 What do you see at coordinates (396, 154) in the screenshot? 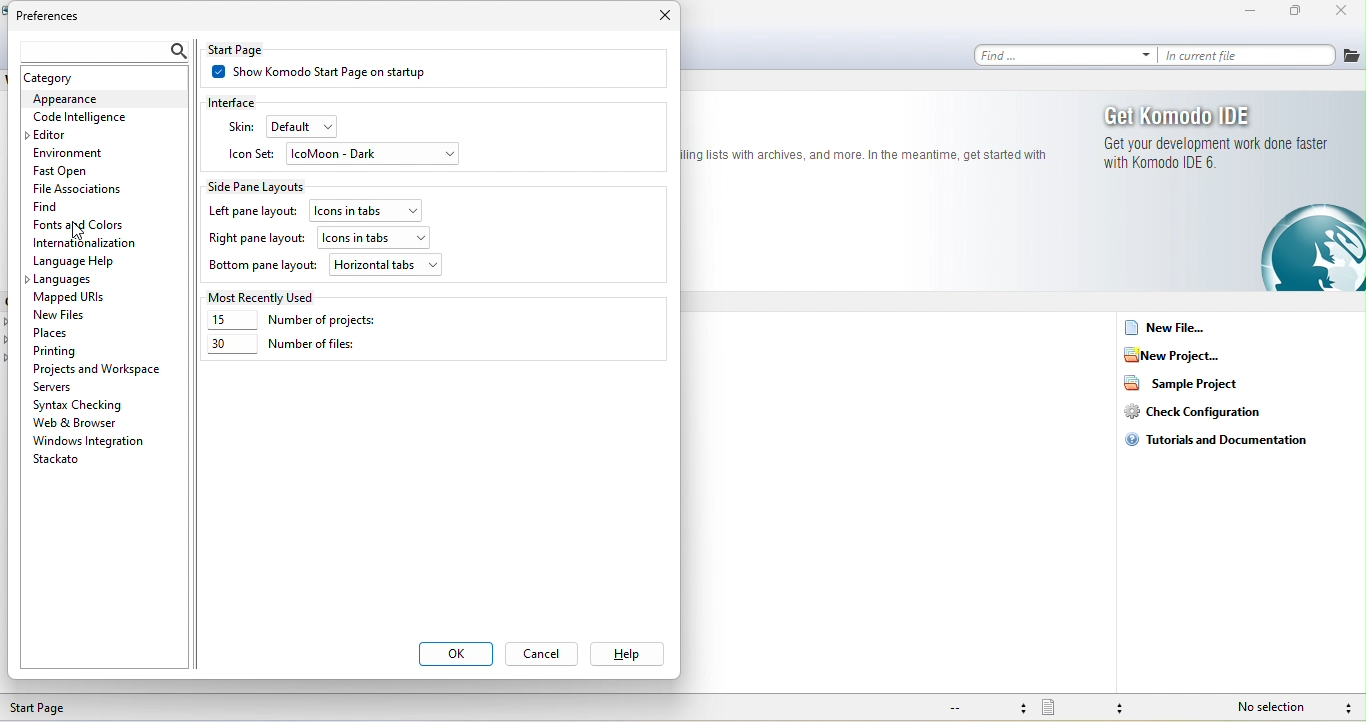
I see `icomoon-dark` at bounding box center [396, 154].